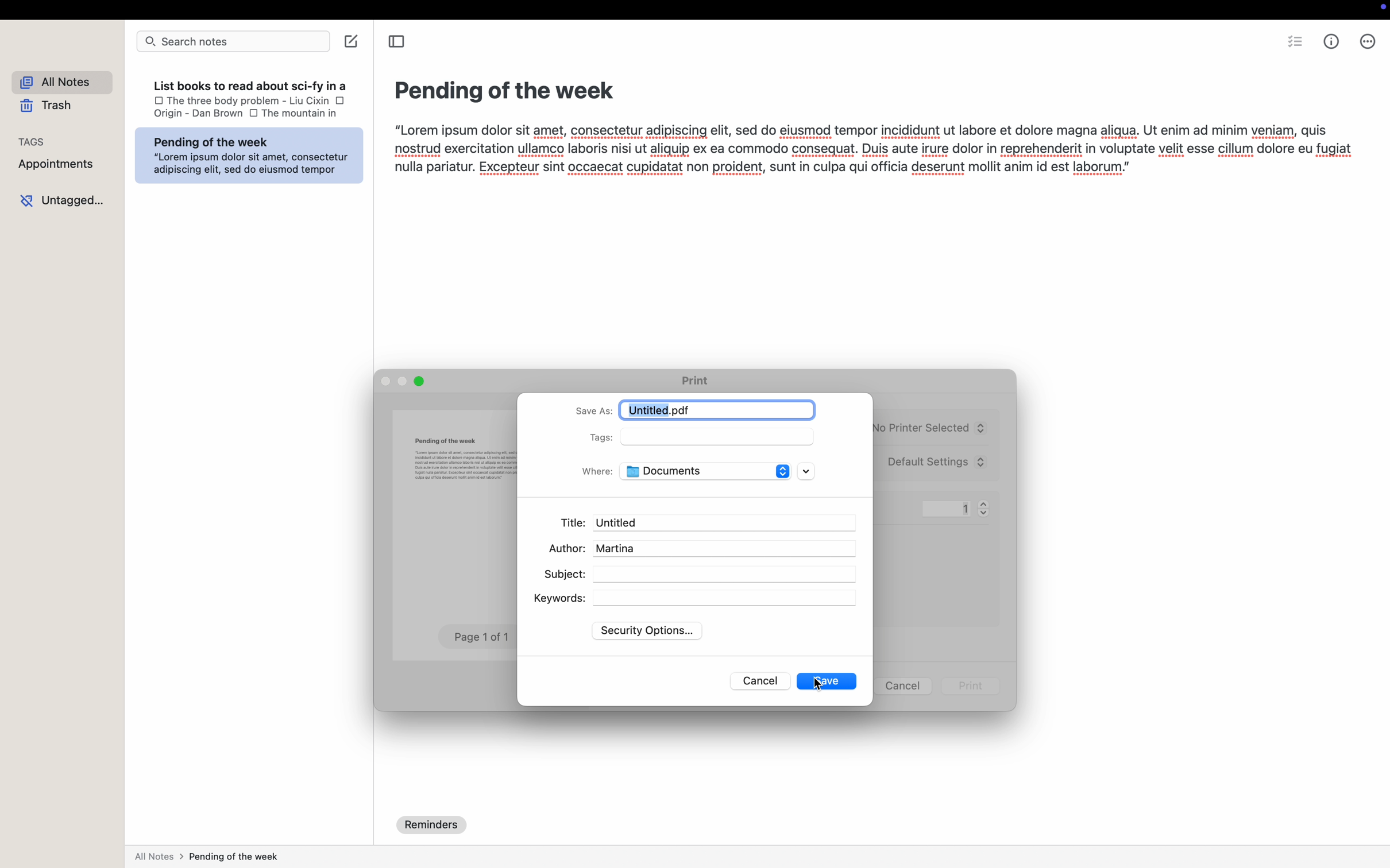  I want to click on all notes > pending of the week, so click(210, 858).